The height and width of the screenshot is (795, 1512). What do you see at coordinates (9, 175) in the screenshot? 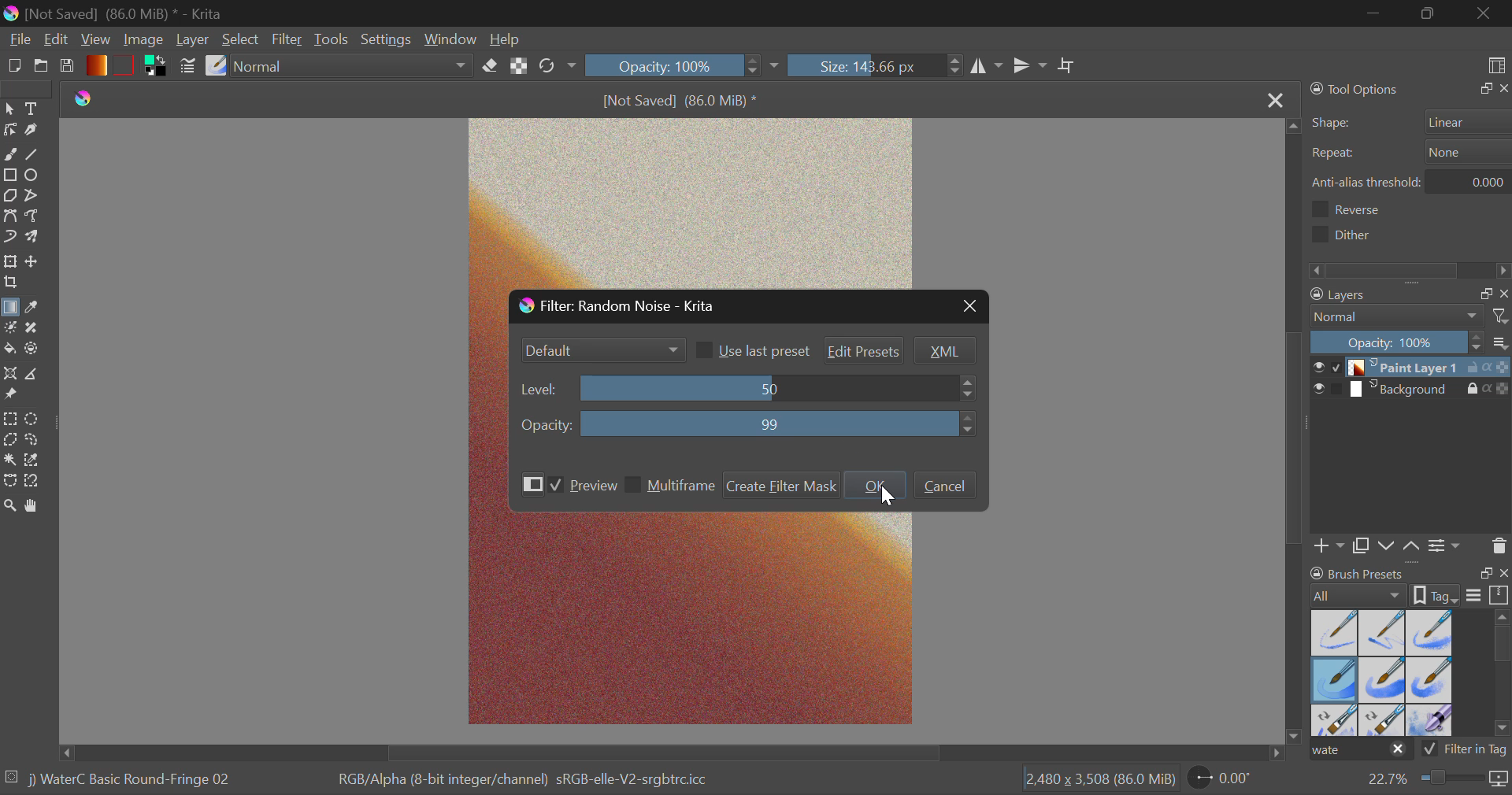
I see `Rectangle` at bounding box center [9, 175].